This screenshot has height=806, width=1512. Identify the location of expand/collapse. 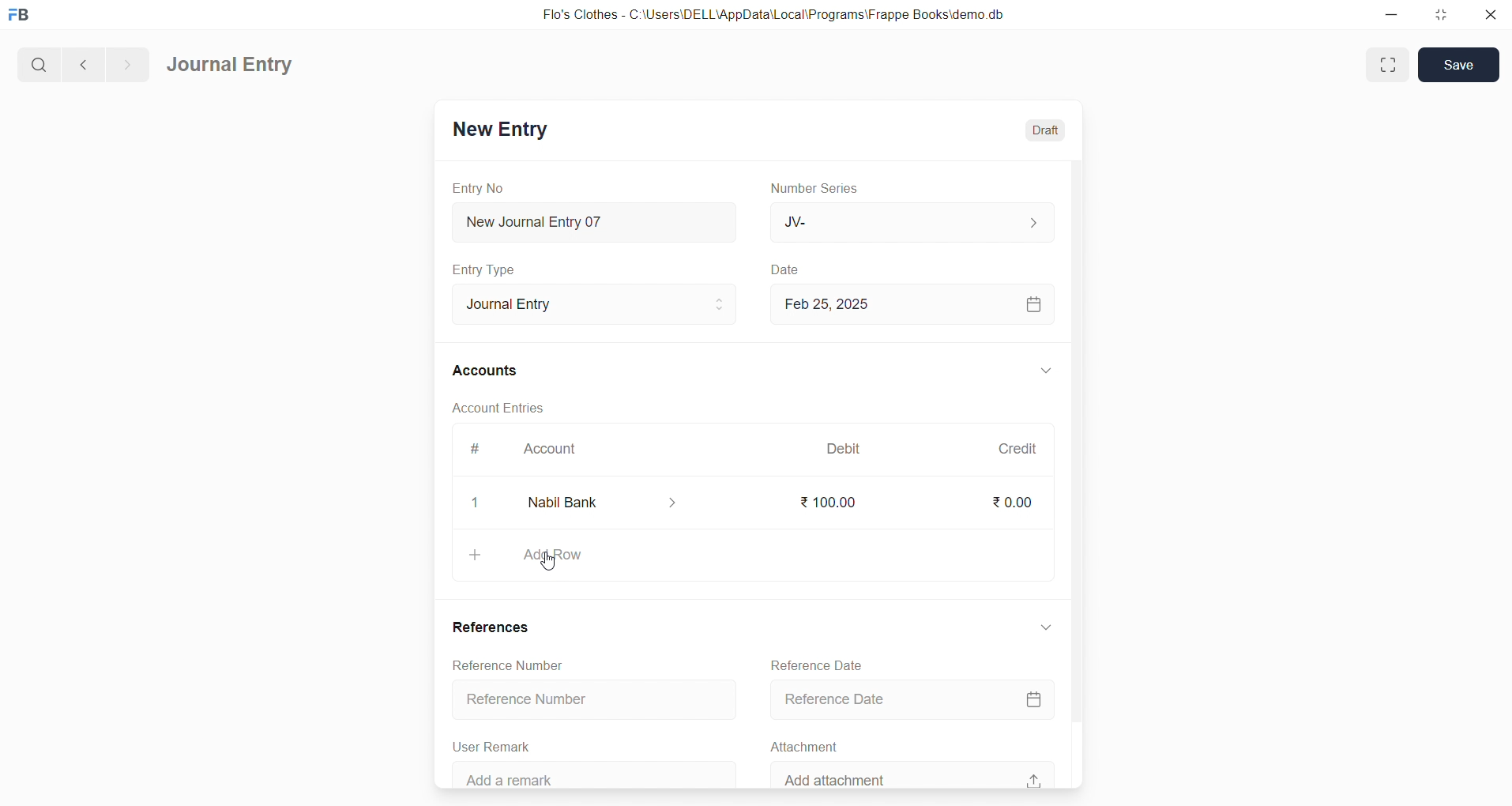
(1045, 371).